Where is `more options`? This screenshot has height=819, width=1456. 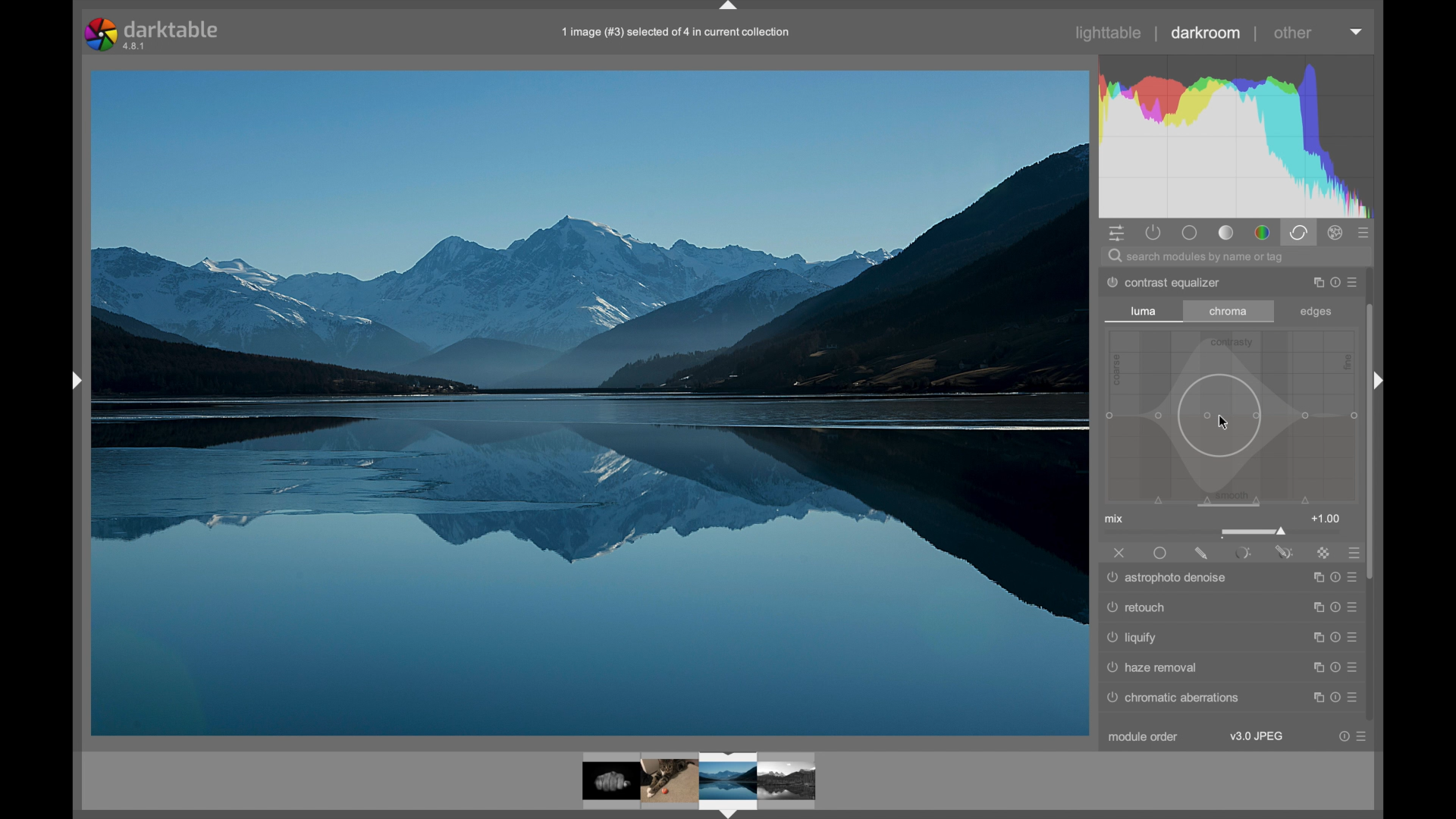
more options is located at coordinates (1332, 608).